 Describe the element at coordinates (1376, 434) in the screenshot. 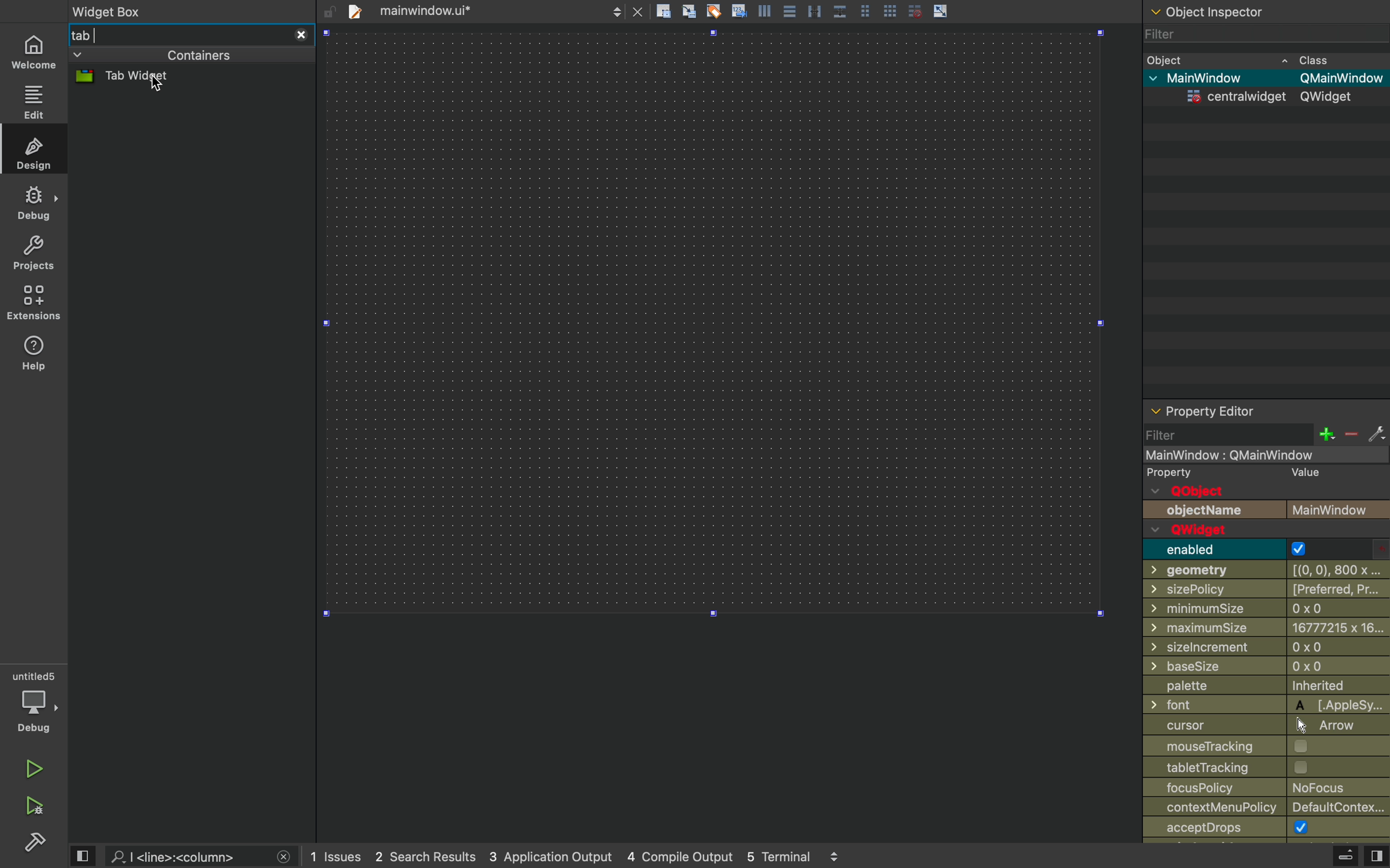

I see `settings` at that location.